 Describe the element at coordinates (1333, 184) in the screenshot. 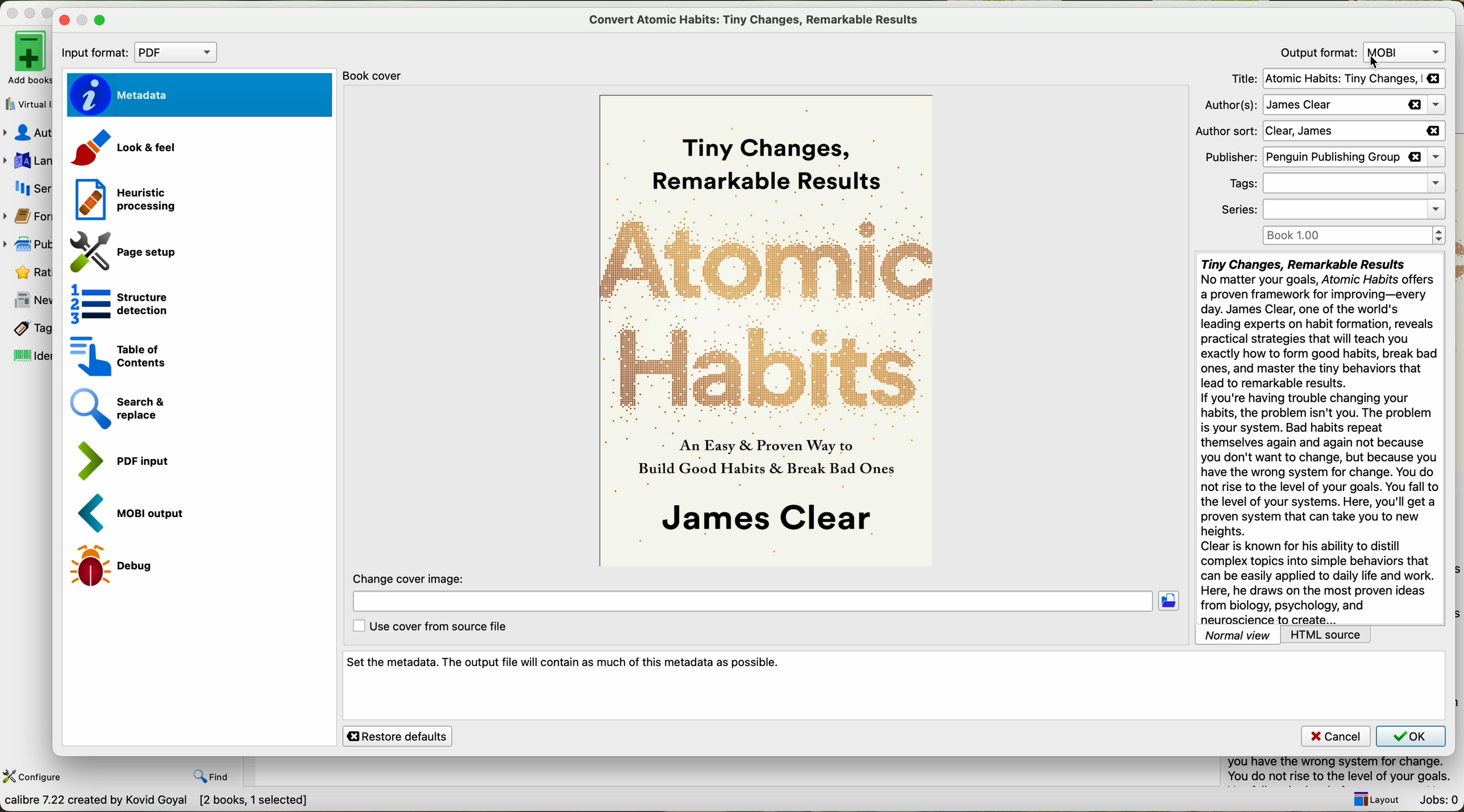

I see `tags` at that location.